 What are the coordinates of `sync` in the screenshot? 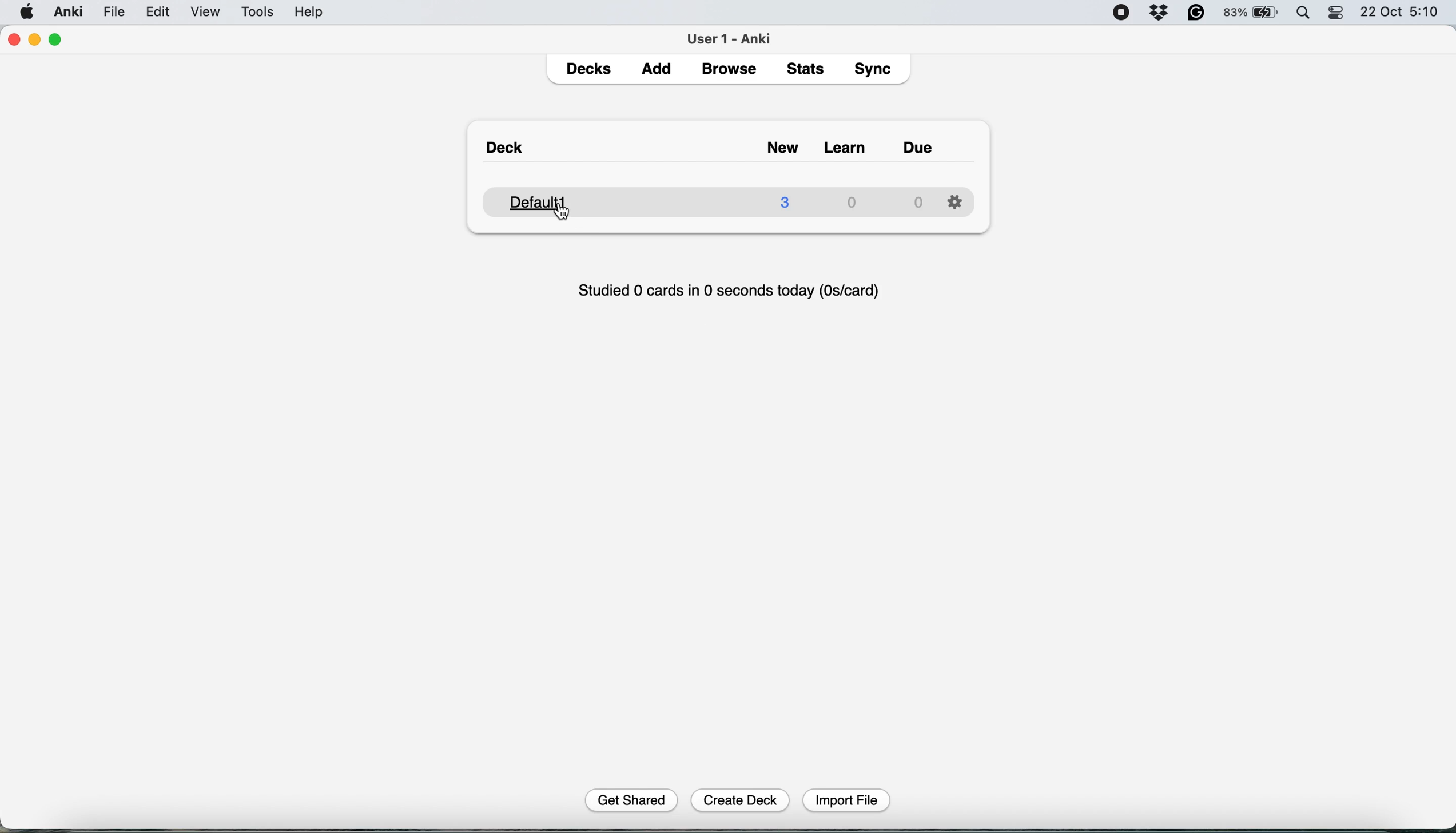 It's located at (876, 71).